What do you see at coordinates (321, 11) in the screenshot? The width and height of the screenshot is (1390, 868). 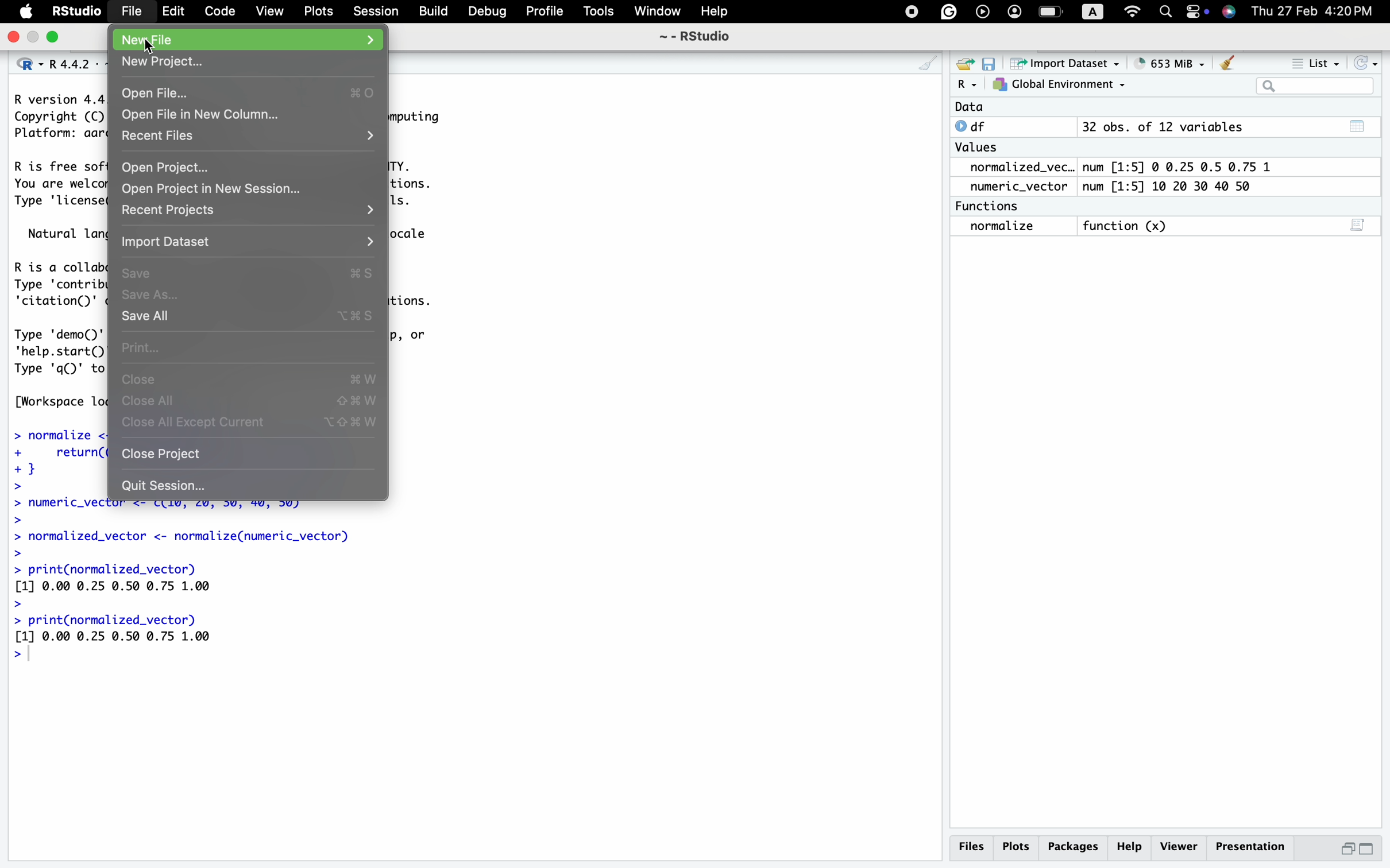 I see `Plots` at bounding box center [321, 11].